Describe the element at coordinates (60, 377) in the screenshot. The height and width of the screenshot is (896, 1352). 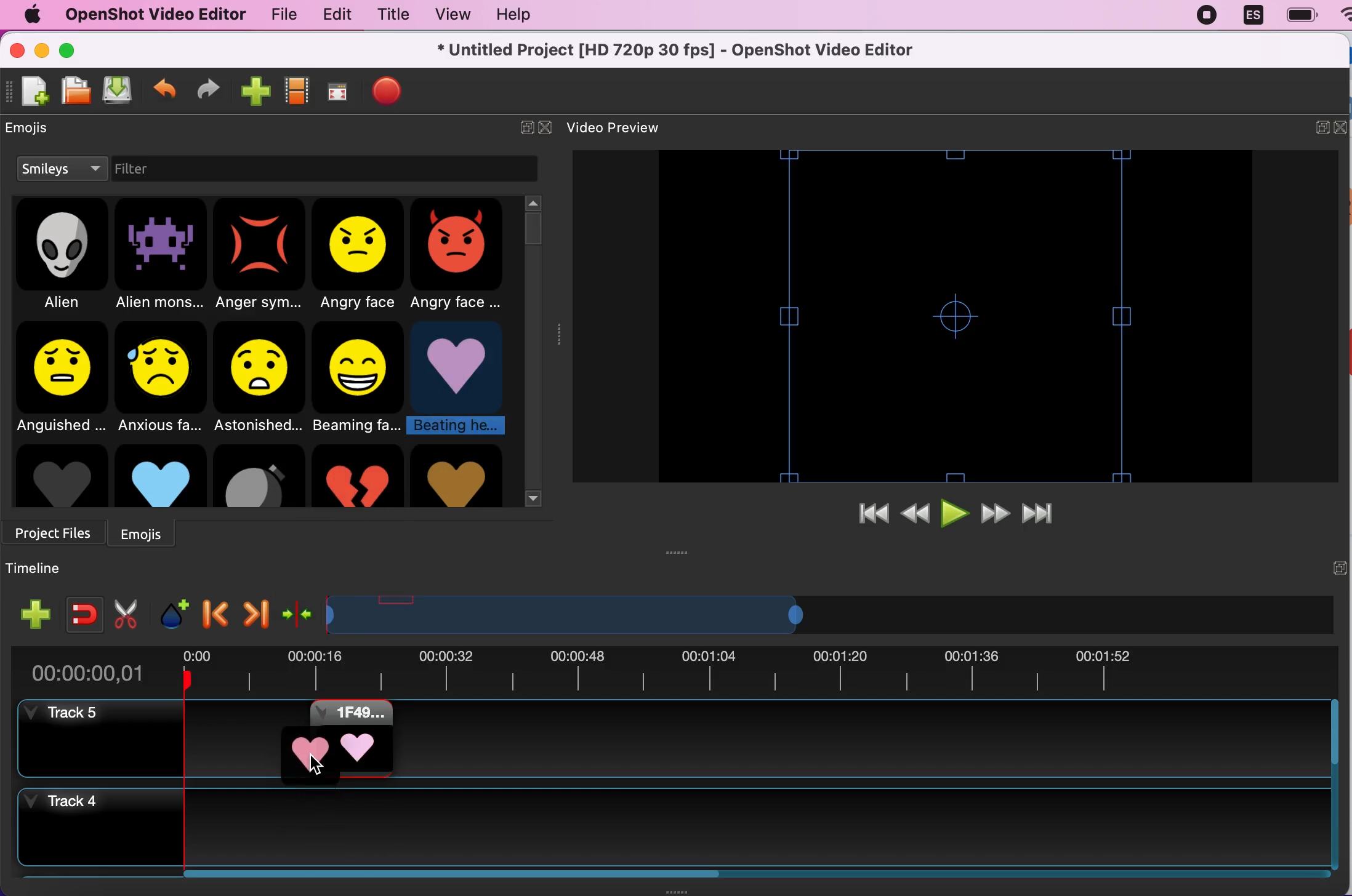
I see `anguished` at that location.